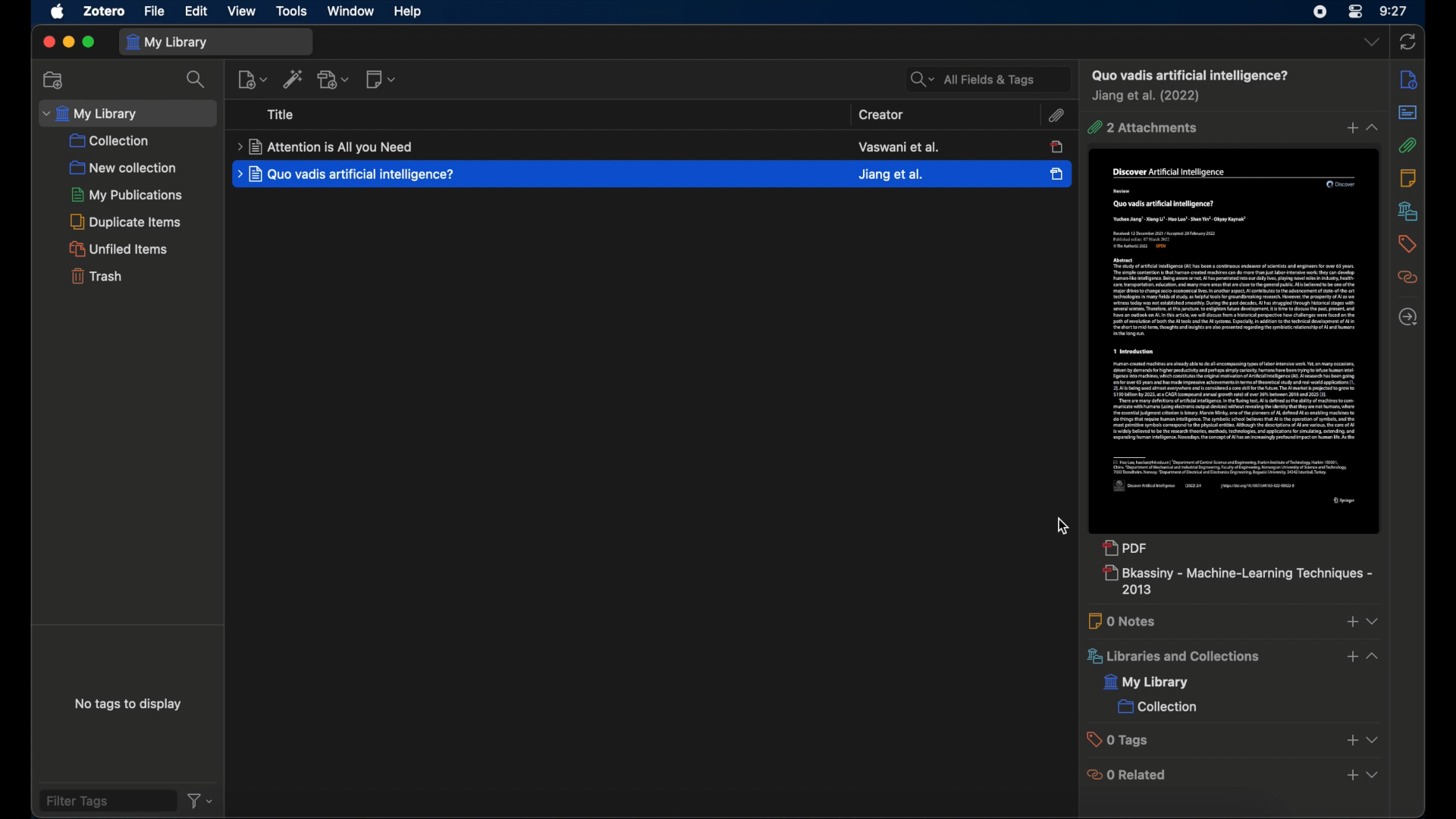  I want to click on located, so click(1407, 317).